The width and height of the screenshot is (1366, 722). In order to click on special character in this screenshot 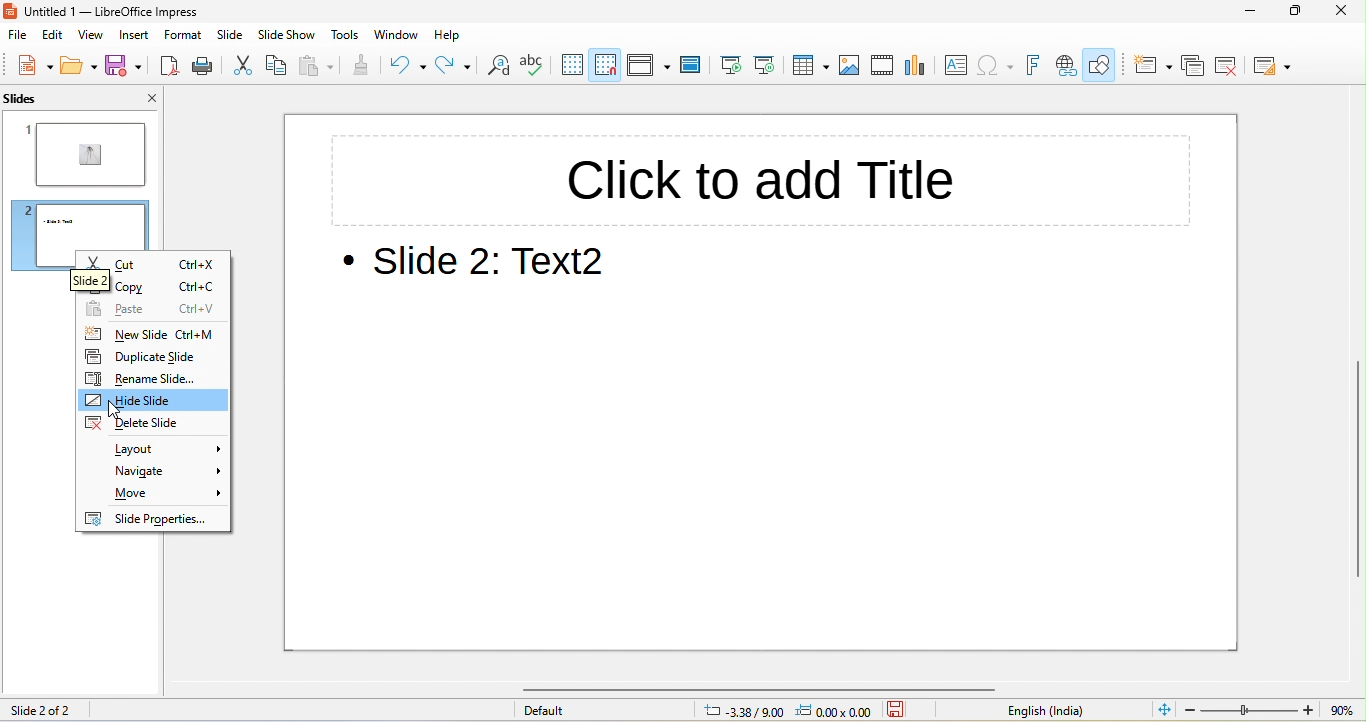, I will do `click(997, 65)`.